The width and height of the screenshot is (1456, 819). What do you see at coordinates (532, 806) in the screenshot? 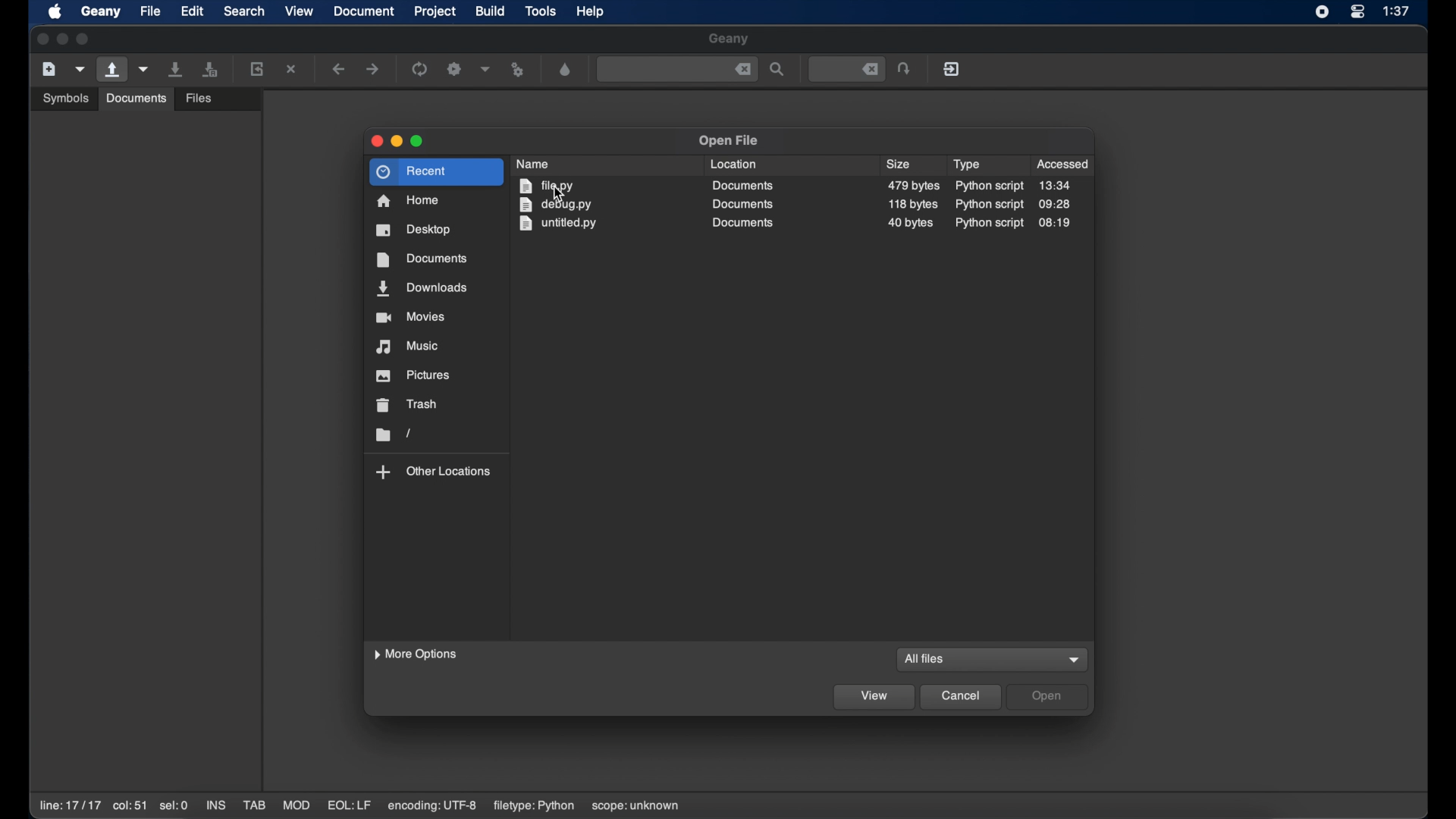
I see `filetype: python` at bounding box center [532, 806].